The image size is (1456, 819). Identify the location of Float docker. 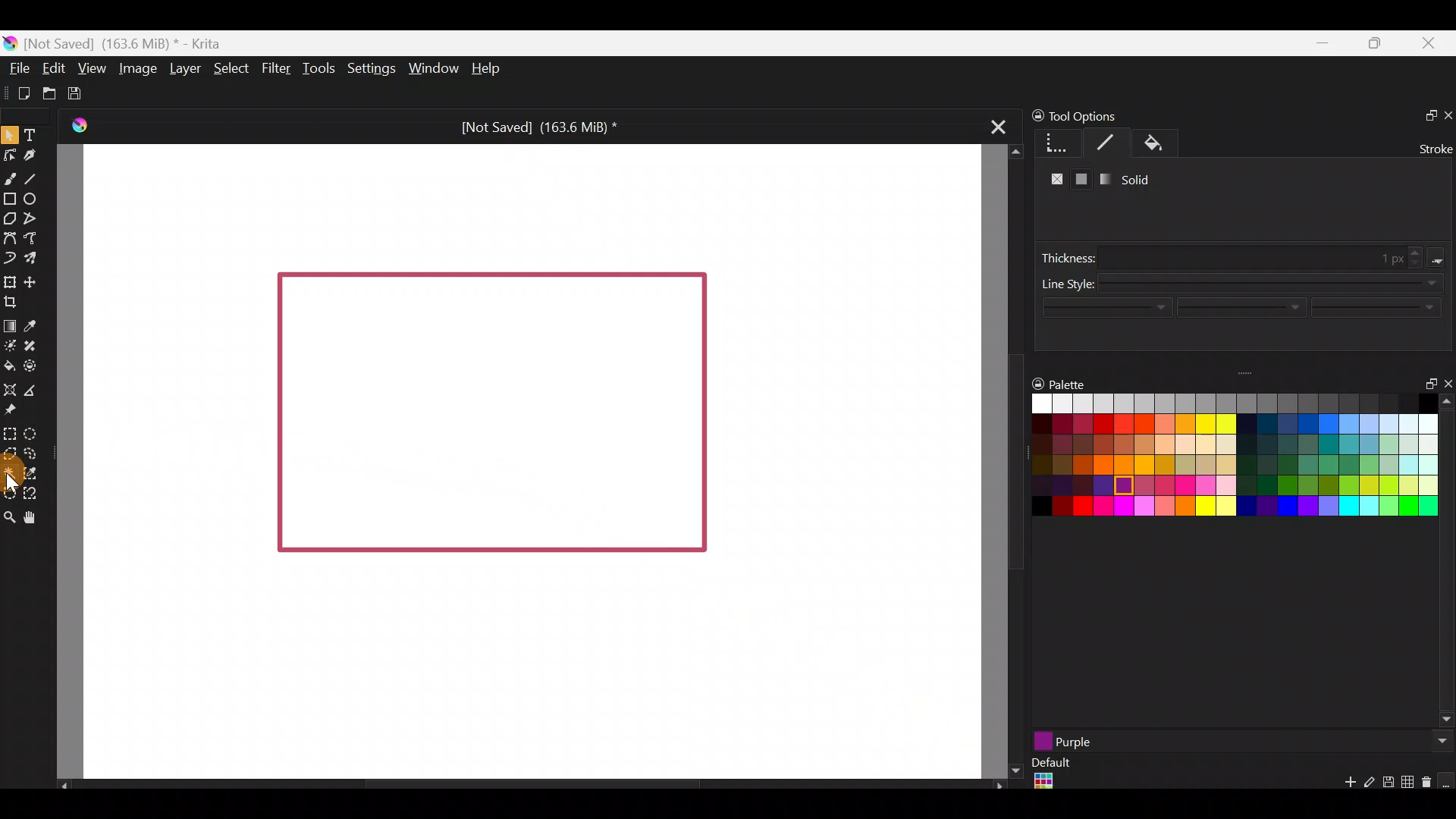
(1424, 386).